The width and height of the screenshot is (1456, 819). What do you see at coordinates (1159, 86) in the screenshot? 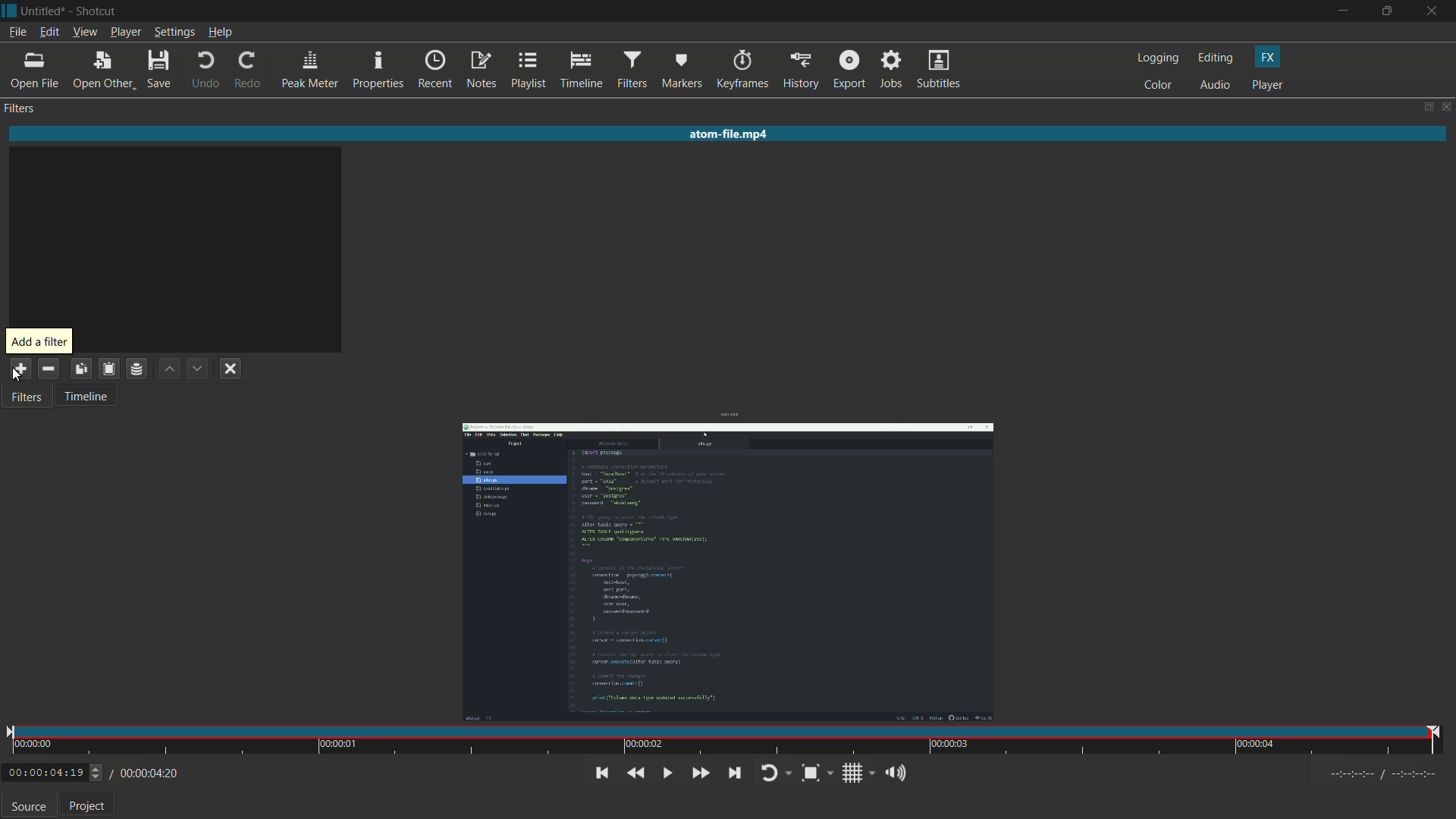
I see `color` at bounding box center [1159, 86].